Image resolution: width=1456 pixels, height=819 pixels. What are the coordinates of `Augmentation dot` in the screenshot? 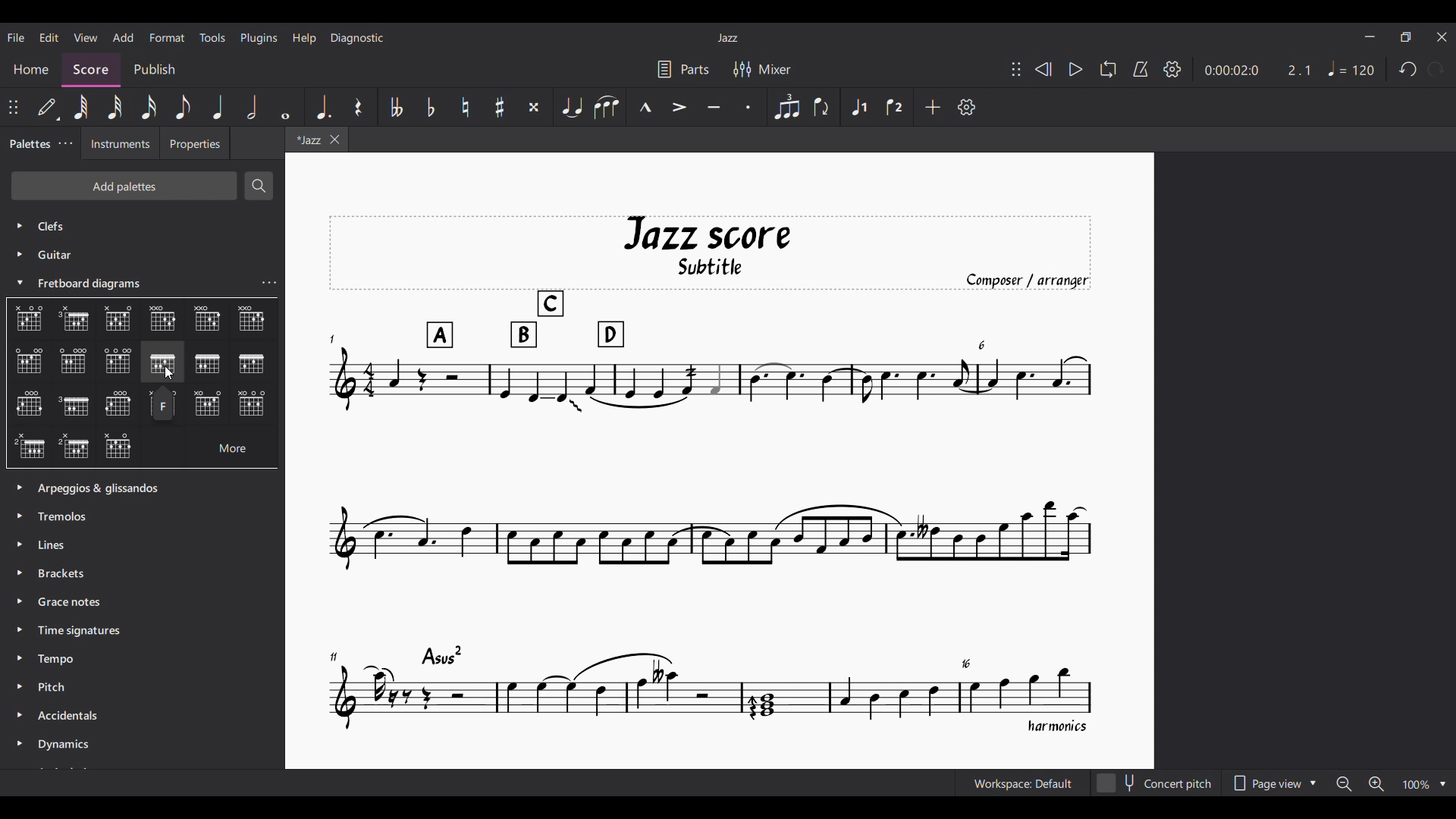 It's located at (322, 106).